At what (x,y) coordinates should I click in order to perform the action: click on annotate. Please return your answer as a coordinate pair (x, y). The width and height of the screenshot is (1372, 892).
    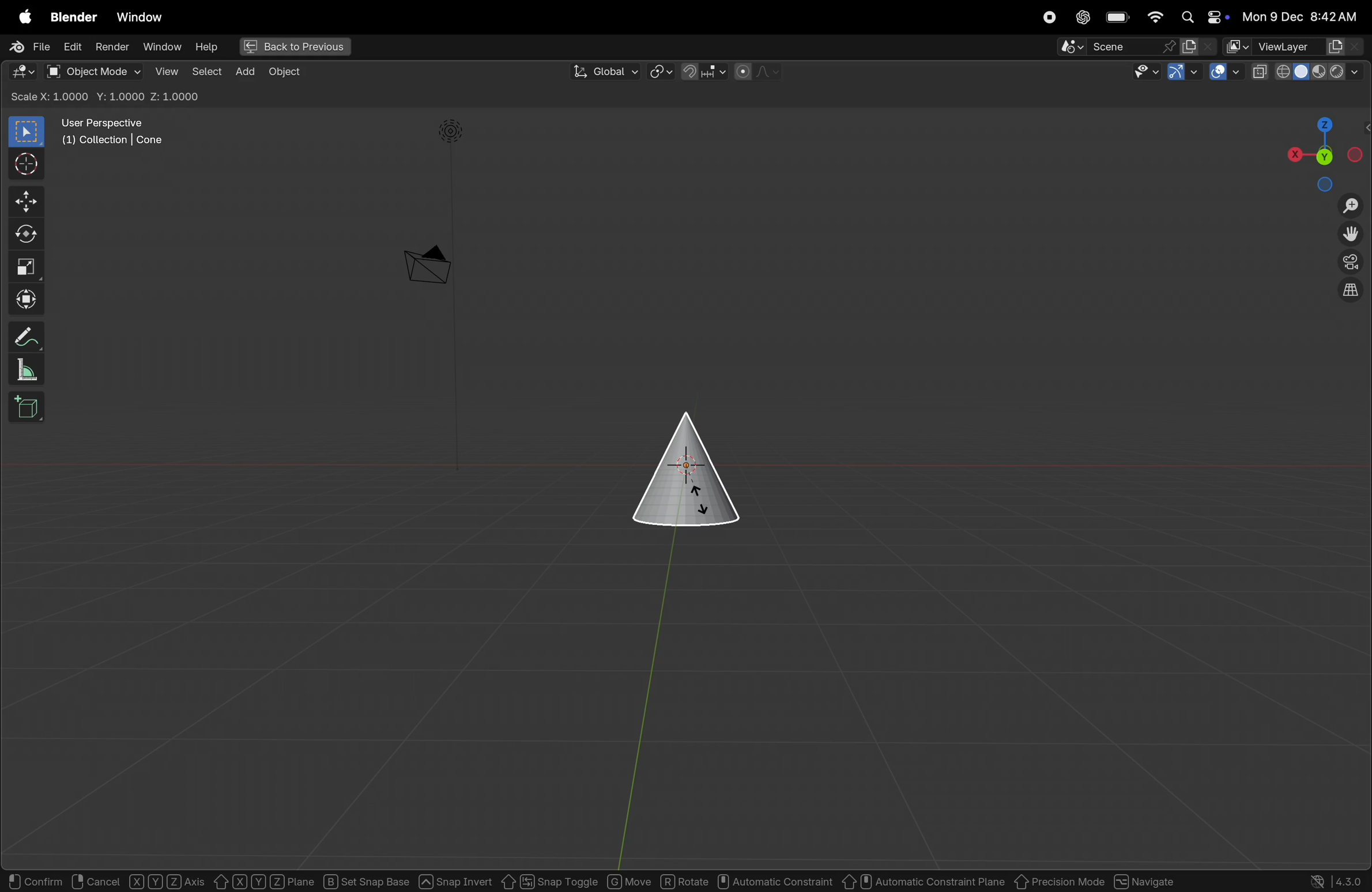
    Looking at the image, I should click on (22, 336).